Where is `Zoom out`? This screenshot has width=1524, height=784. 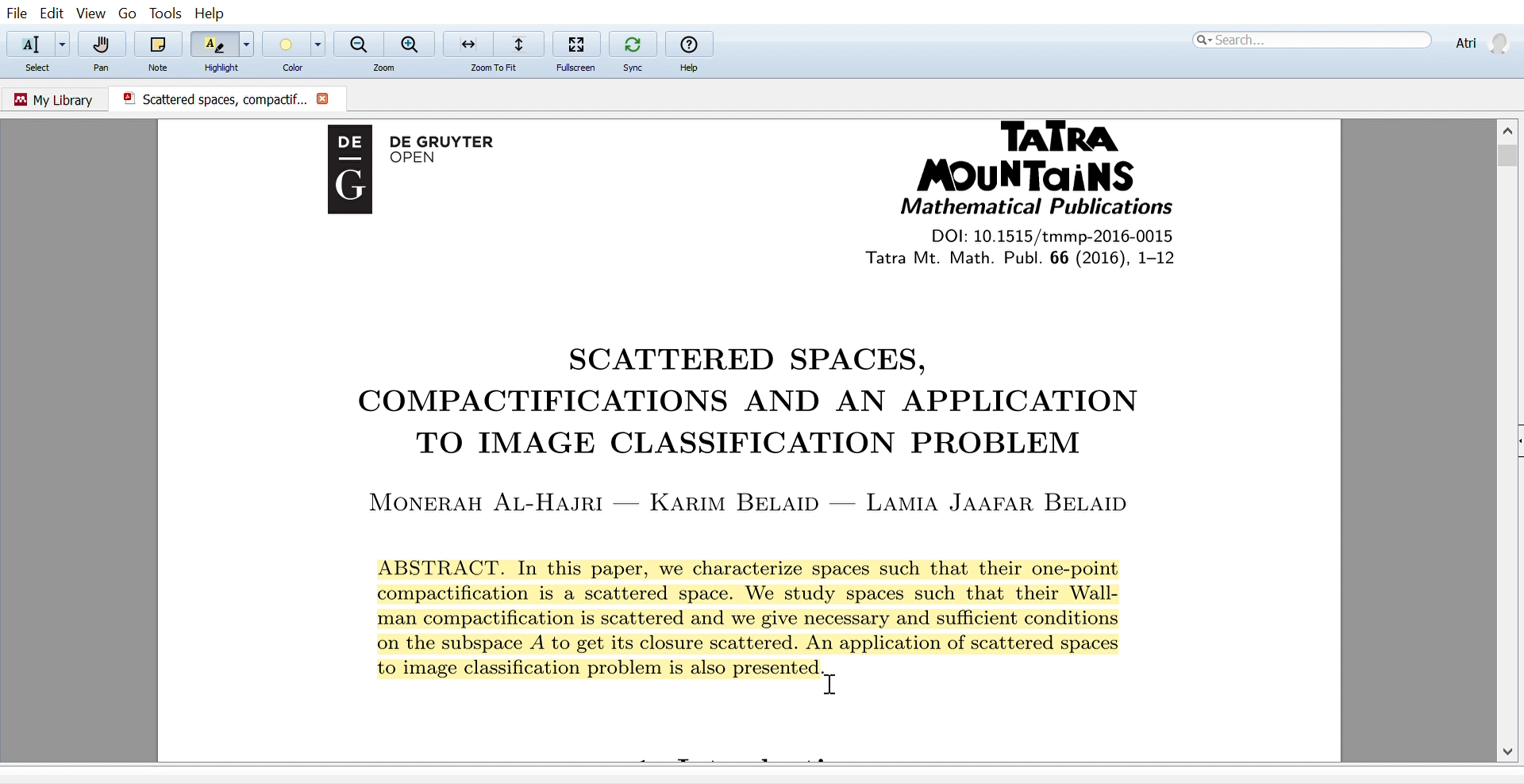 Zoom out is located at coordinates (359, 42).